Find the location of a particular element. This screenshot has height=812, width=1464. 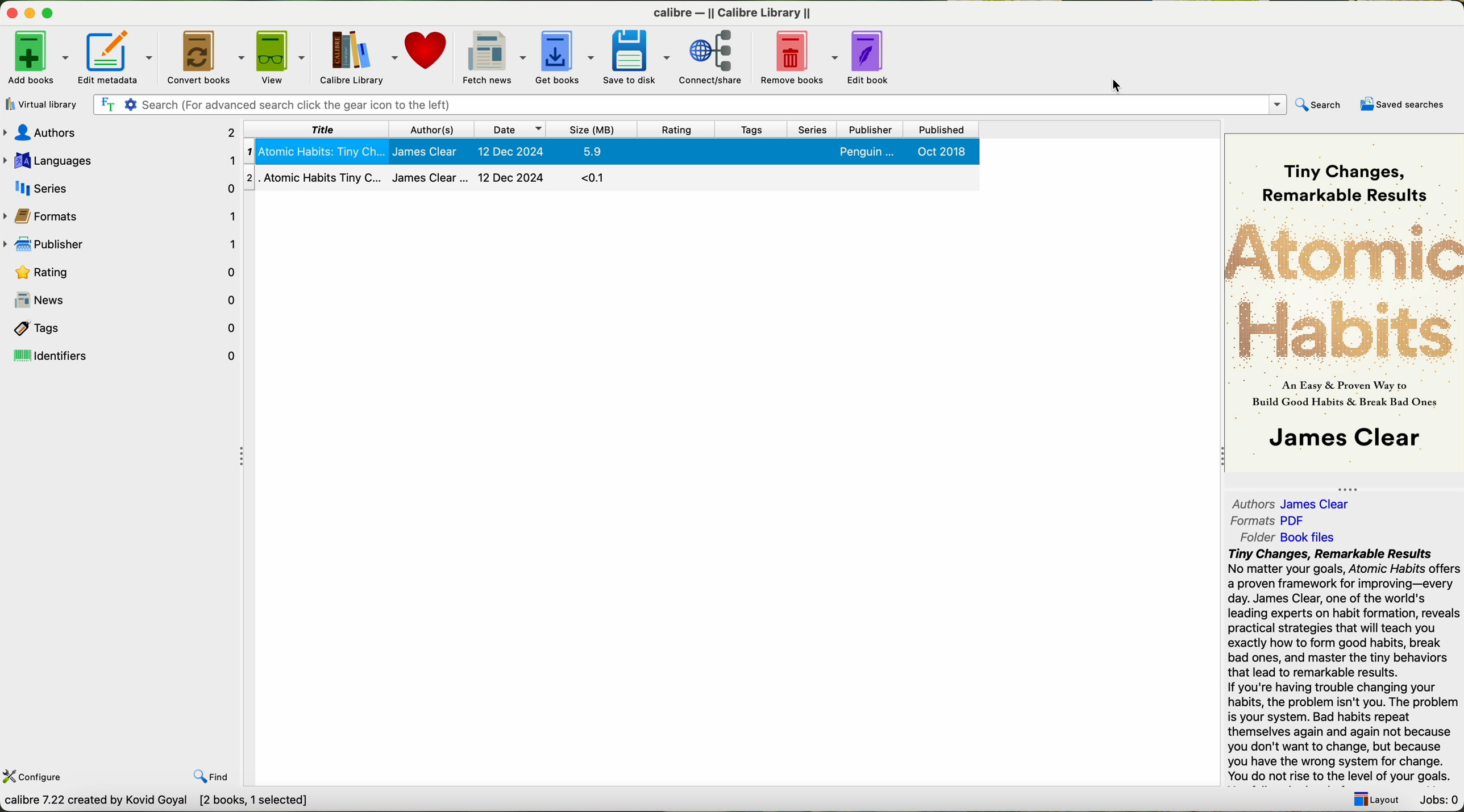

add books is located at coordinates (36, 59).